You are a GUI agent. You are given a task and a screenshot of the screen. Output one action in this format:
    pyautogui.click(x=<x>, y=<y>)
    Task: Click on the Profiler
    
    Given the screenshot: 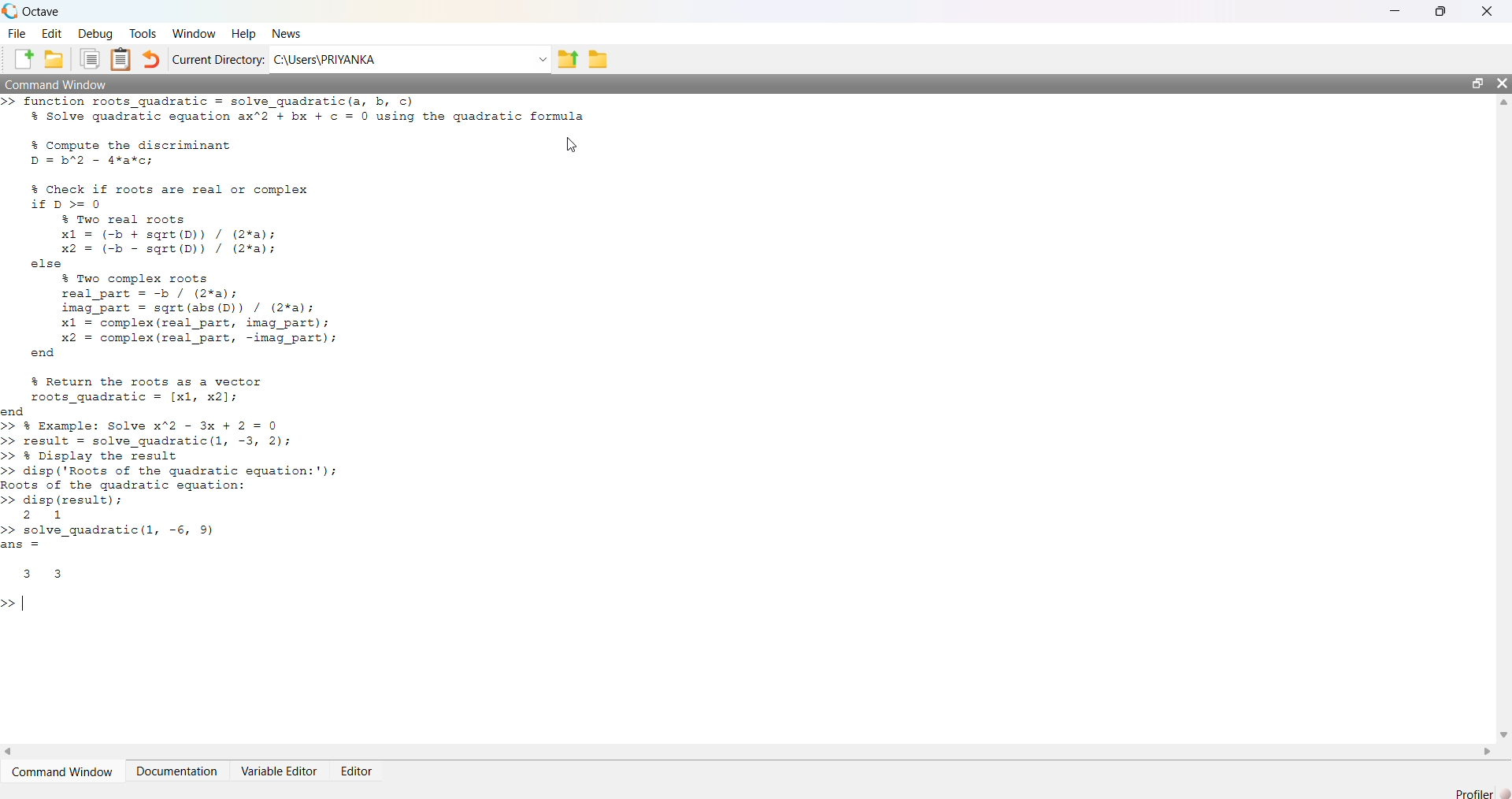 What is the action you would take?
    pyautogui.click(x=1482, y=793)
    